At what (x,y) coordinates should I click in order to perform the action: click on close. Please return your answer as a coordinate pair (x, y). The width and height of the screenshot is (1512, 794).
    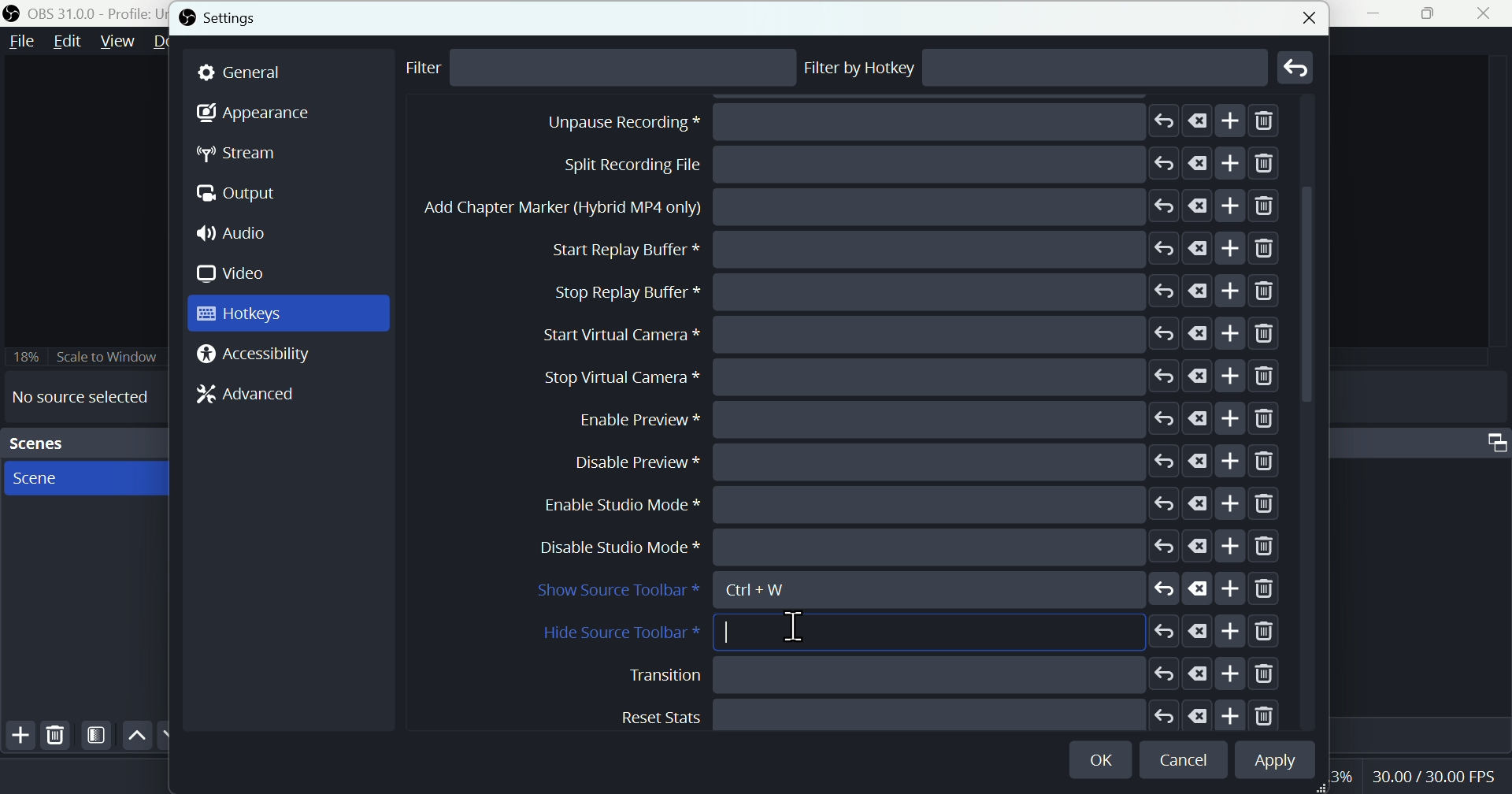
    Looking at the image, I should click on (1488, 13).